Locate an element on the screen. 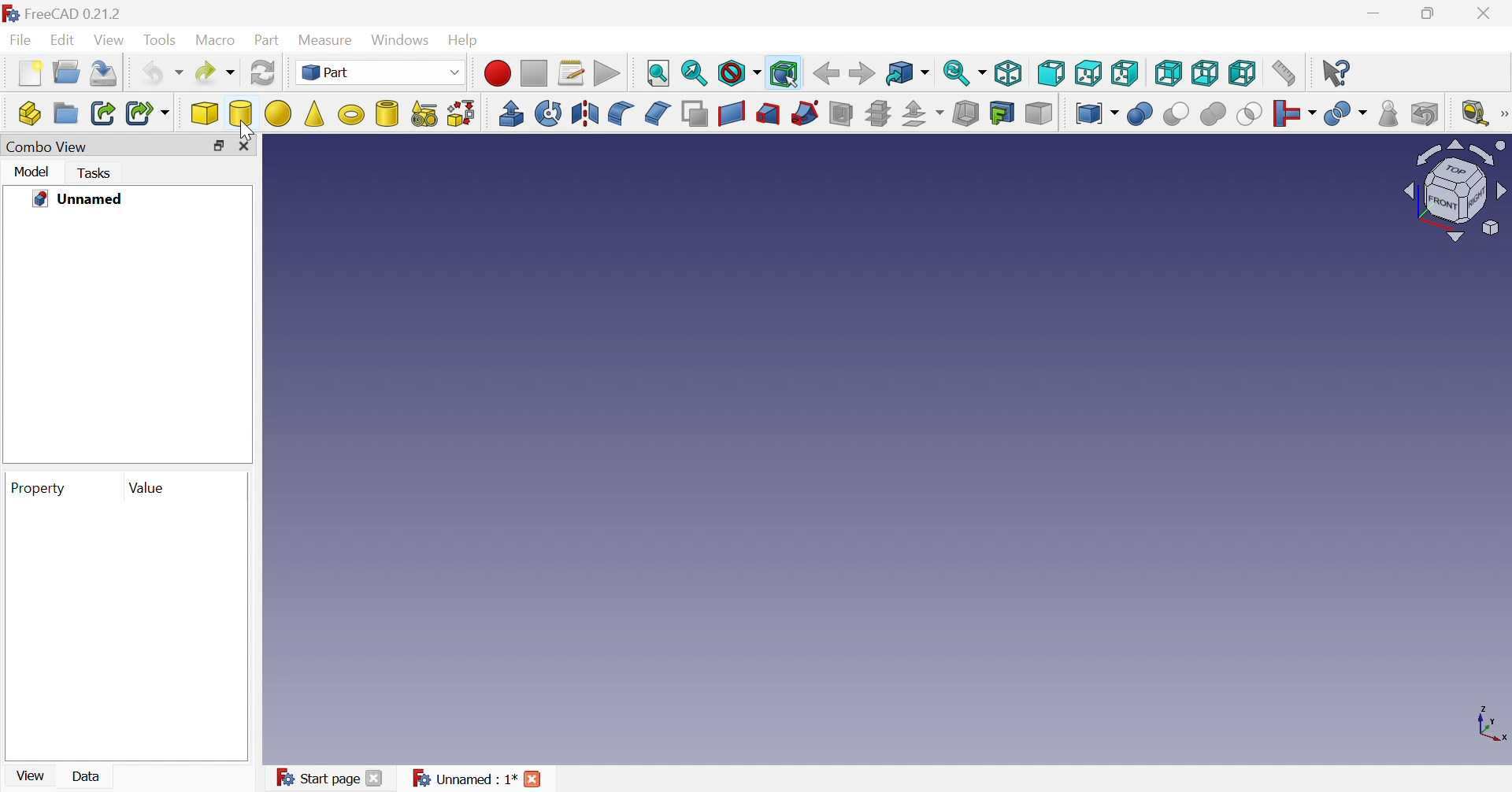  Measure distance is located at coordinates (1284, 72).